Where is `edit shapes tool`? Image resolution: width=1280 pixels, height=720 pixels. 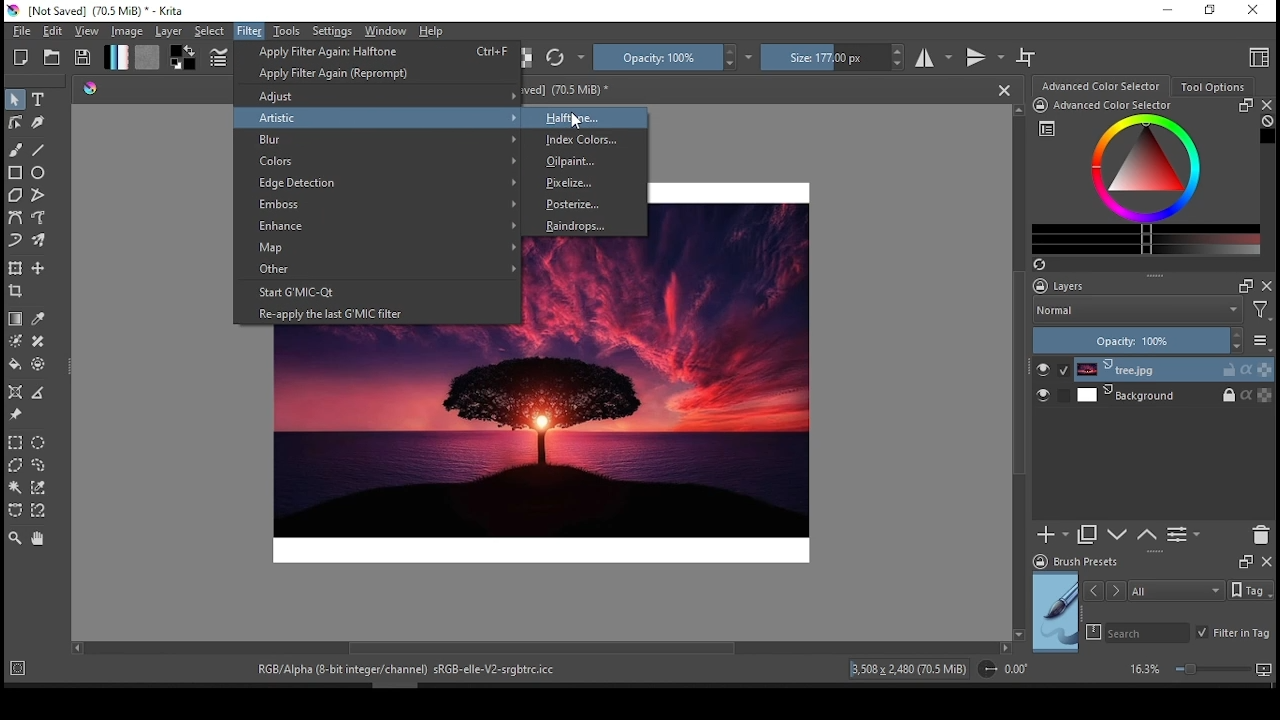
edit shapes tool is located at coordinates (14, 122).